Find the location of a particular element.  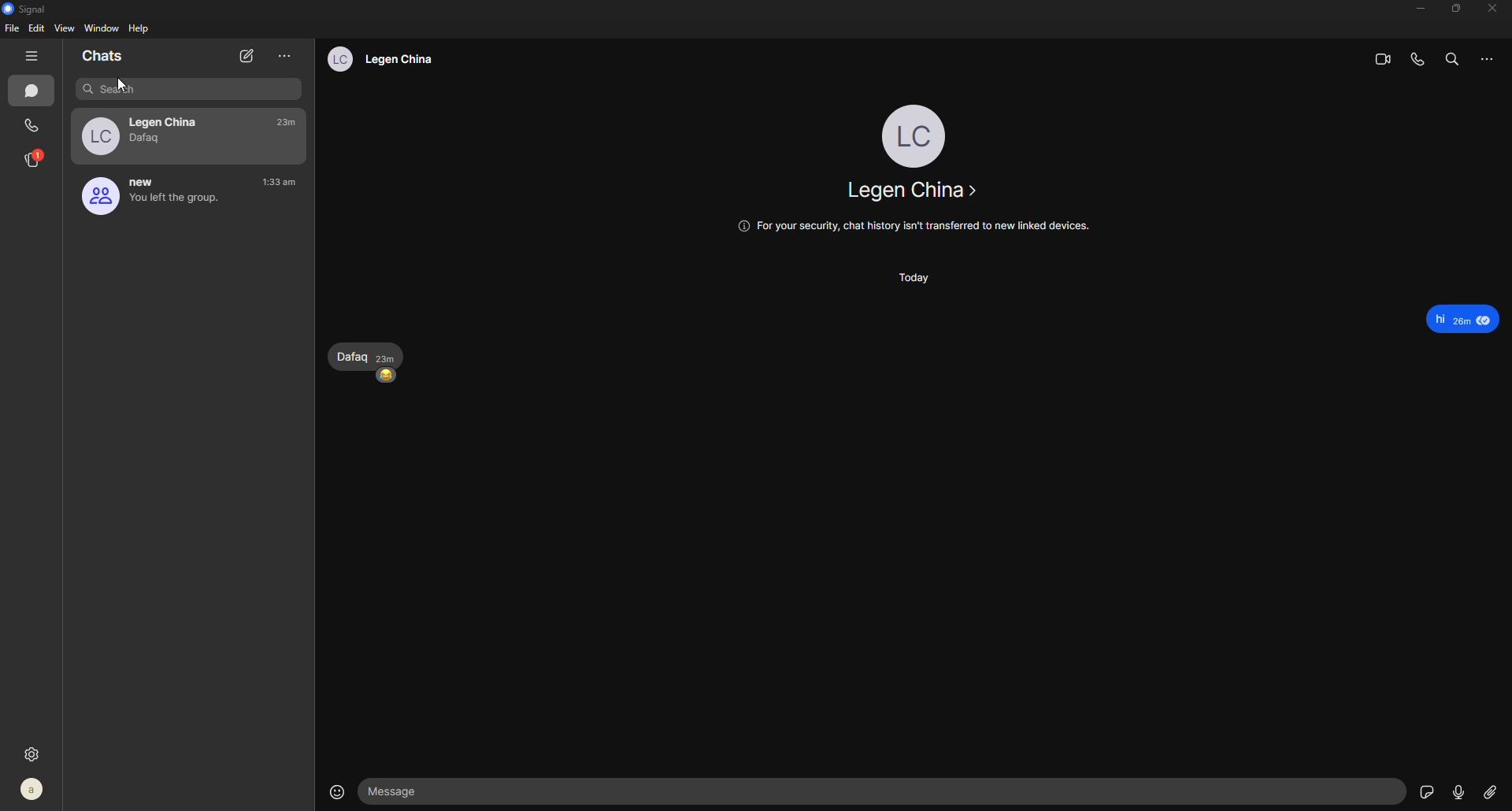

close is located at coordinates (1498, 10).